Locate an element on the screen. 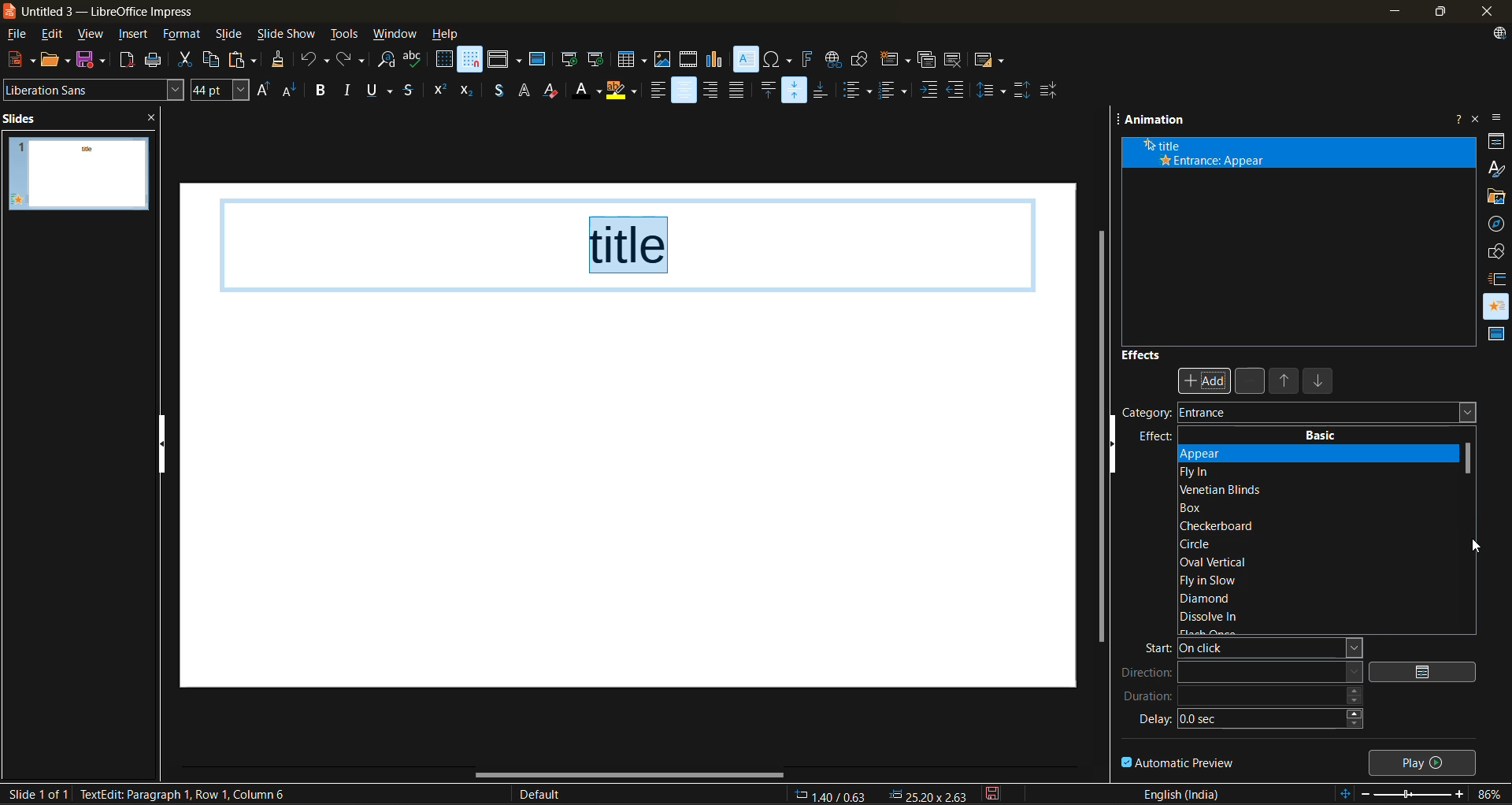 The width and height of the screenshot is (1512, 805). properties is located at coordinates (1497, 140).